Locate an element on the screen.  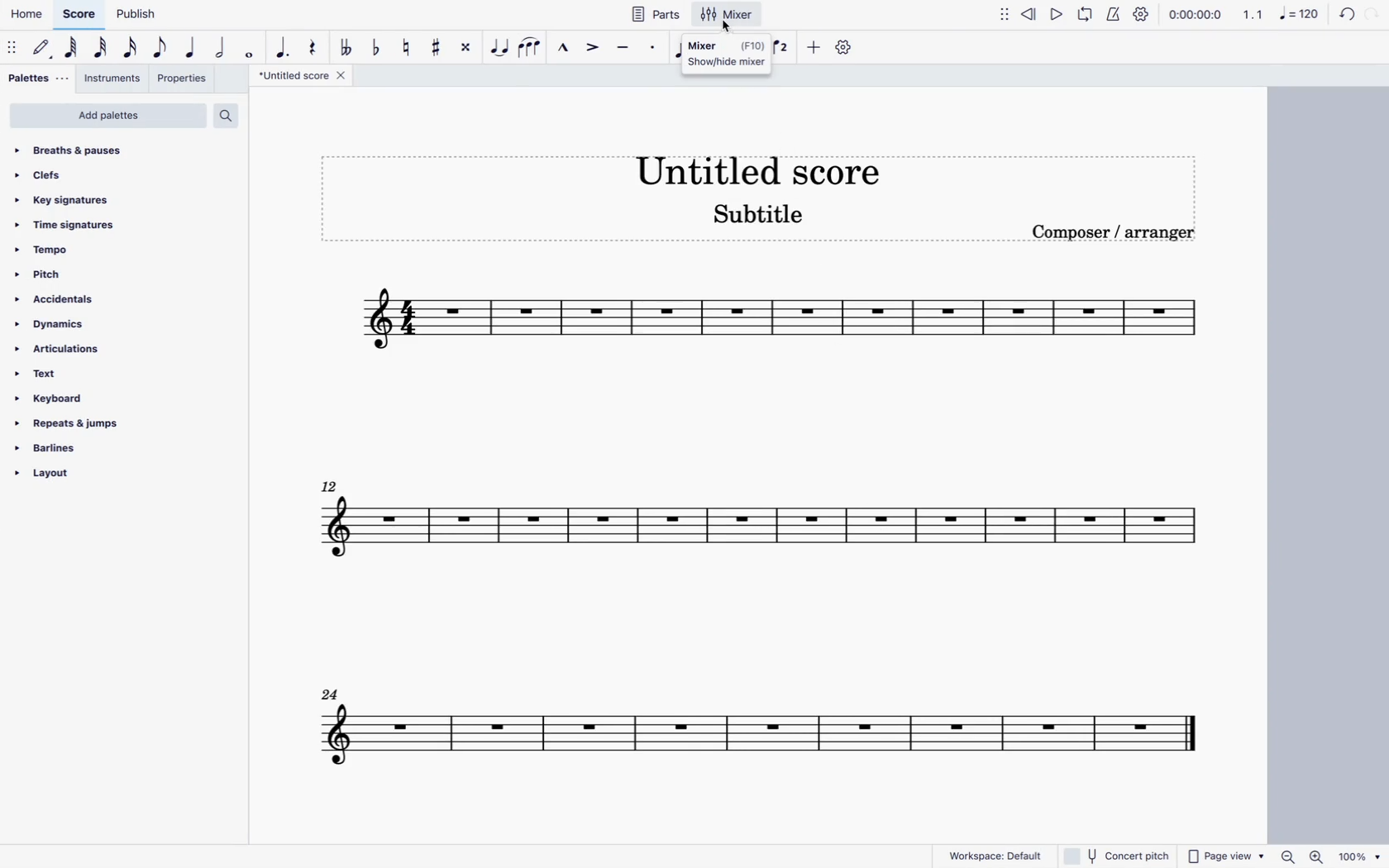
home is located at coordinates (25, 14).